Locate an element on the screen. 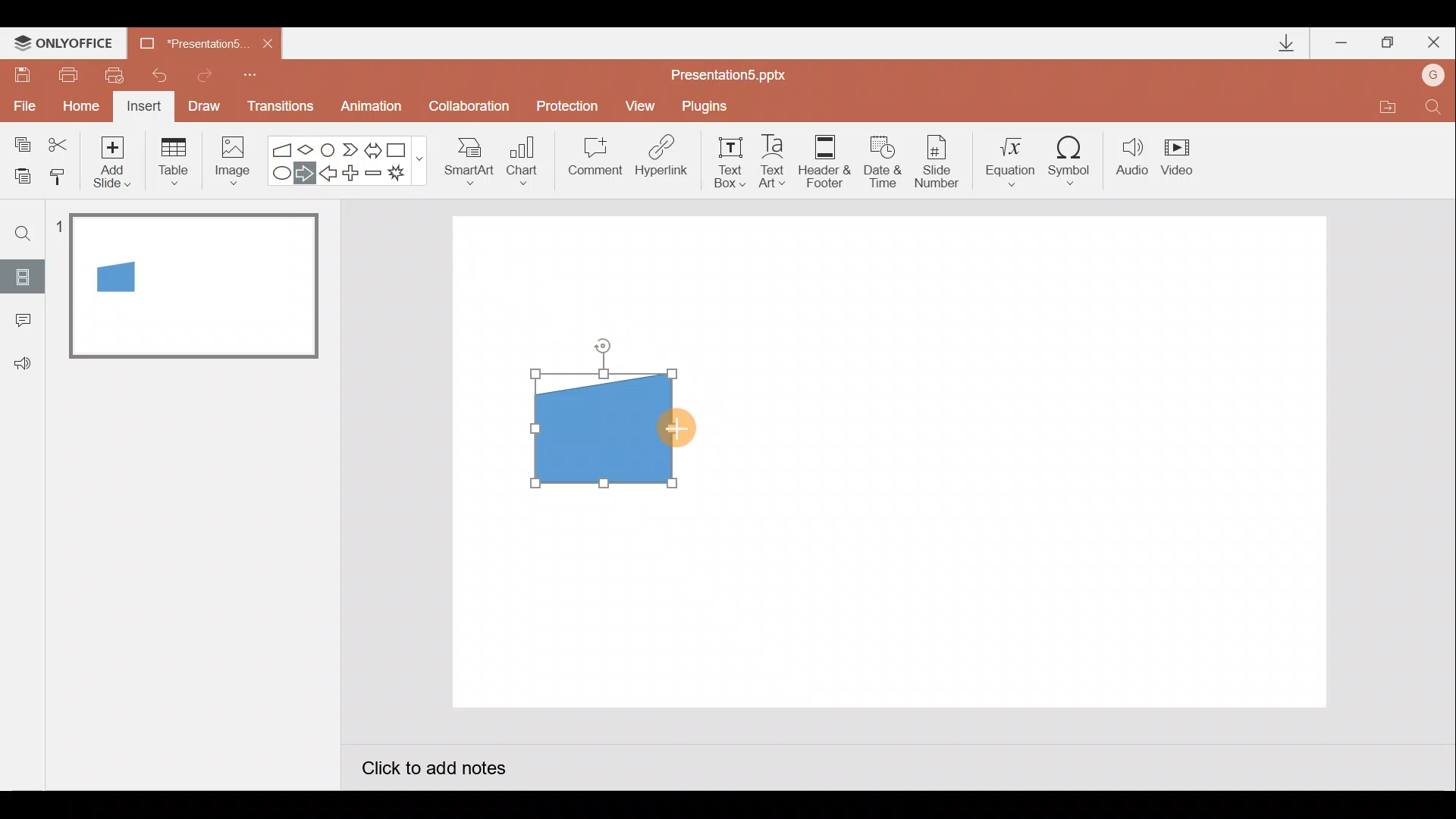 This screenshot has width=1456, height=819. Undo is located at coordinates (162, 75).